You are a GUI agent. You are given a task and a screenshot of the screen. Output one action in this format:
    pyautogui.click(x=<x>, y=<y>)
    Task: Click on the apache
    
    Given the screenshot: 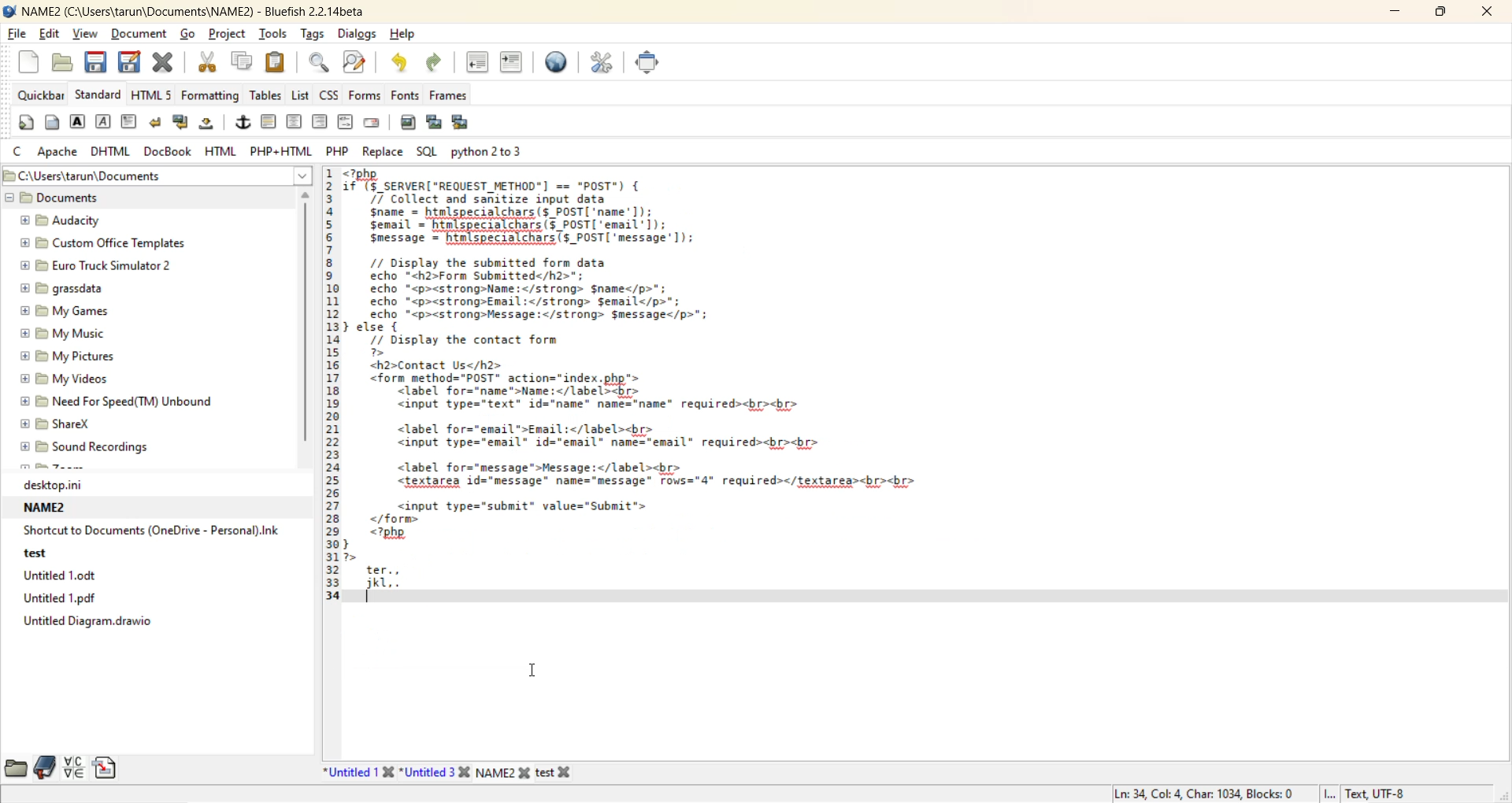 What is the action you would take?
    pyautogui.click(x=61, y=153)
    